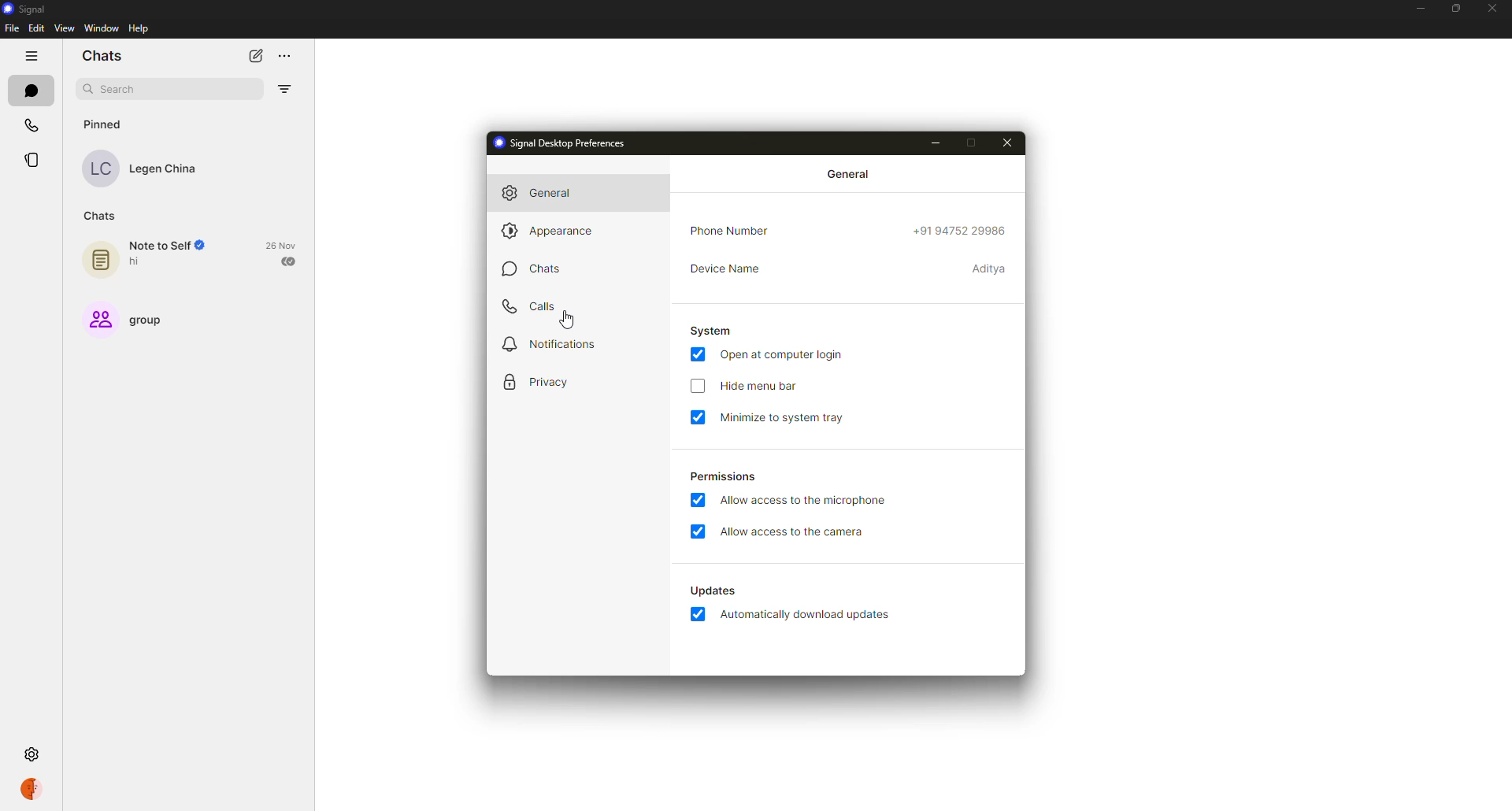 Image resolution: width=1512 pixels, height=811 pixels. I want to click on enabled, so click(697, 530).